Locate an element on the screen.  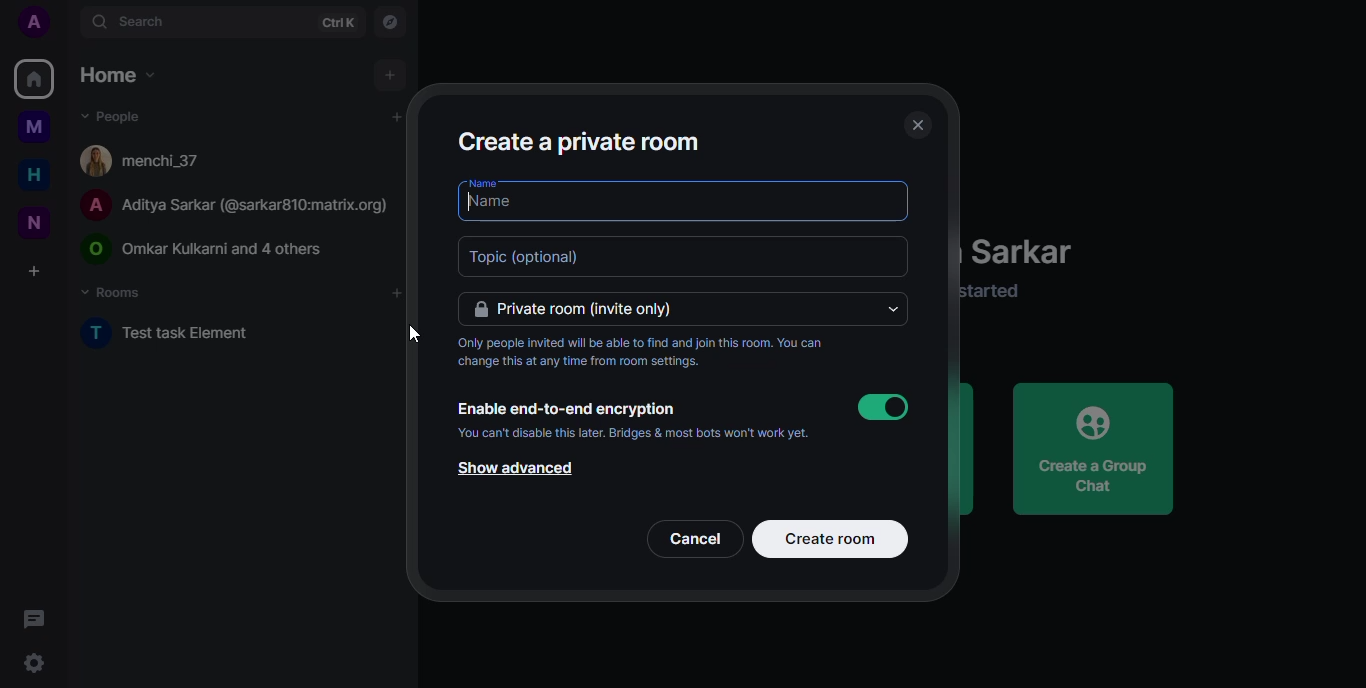
cursor is located at coordinates (415, 333).